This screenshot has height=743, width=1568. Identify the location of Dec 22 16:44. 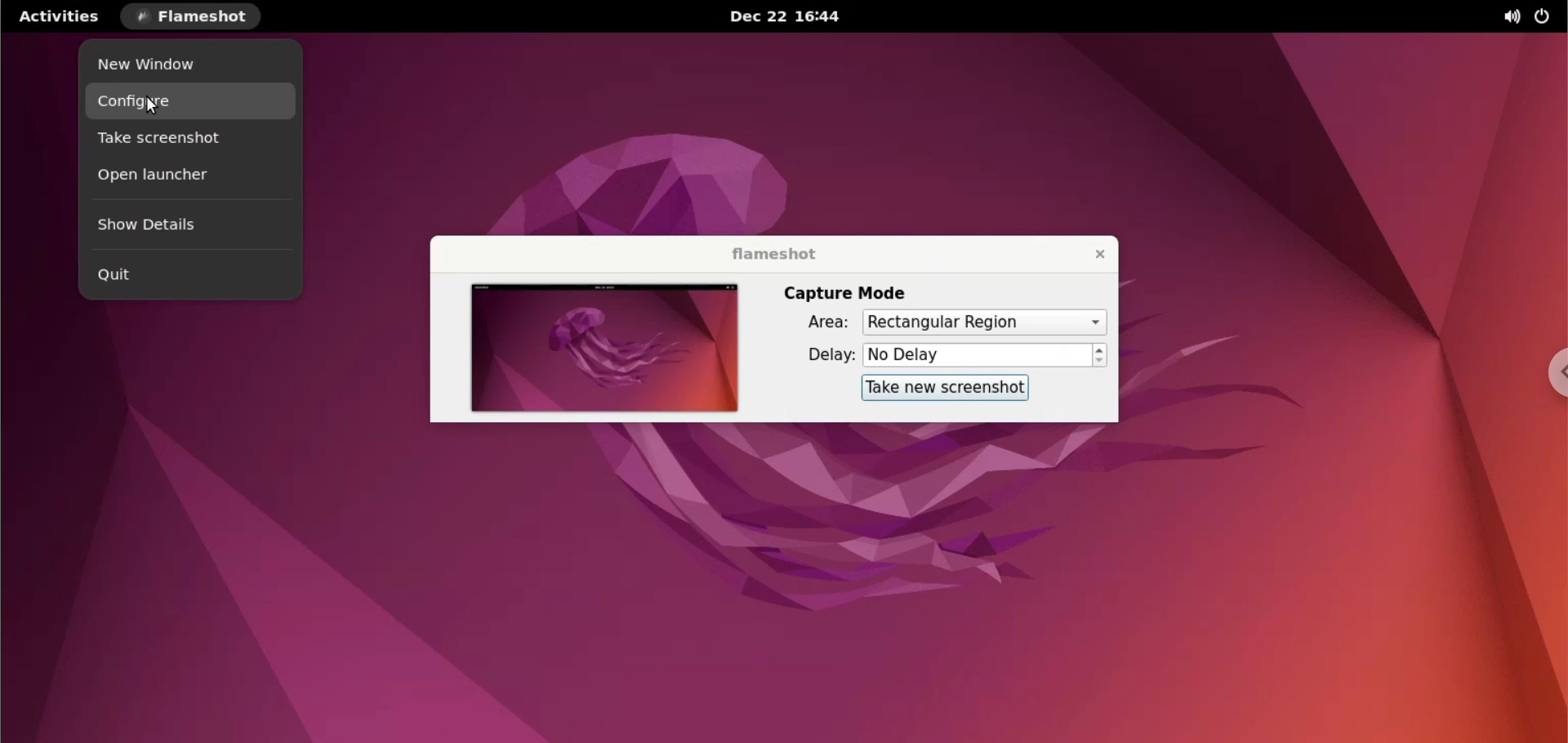
(791, 16).